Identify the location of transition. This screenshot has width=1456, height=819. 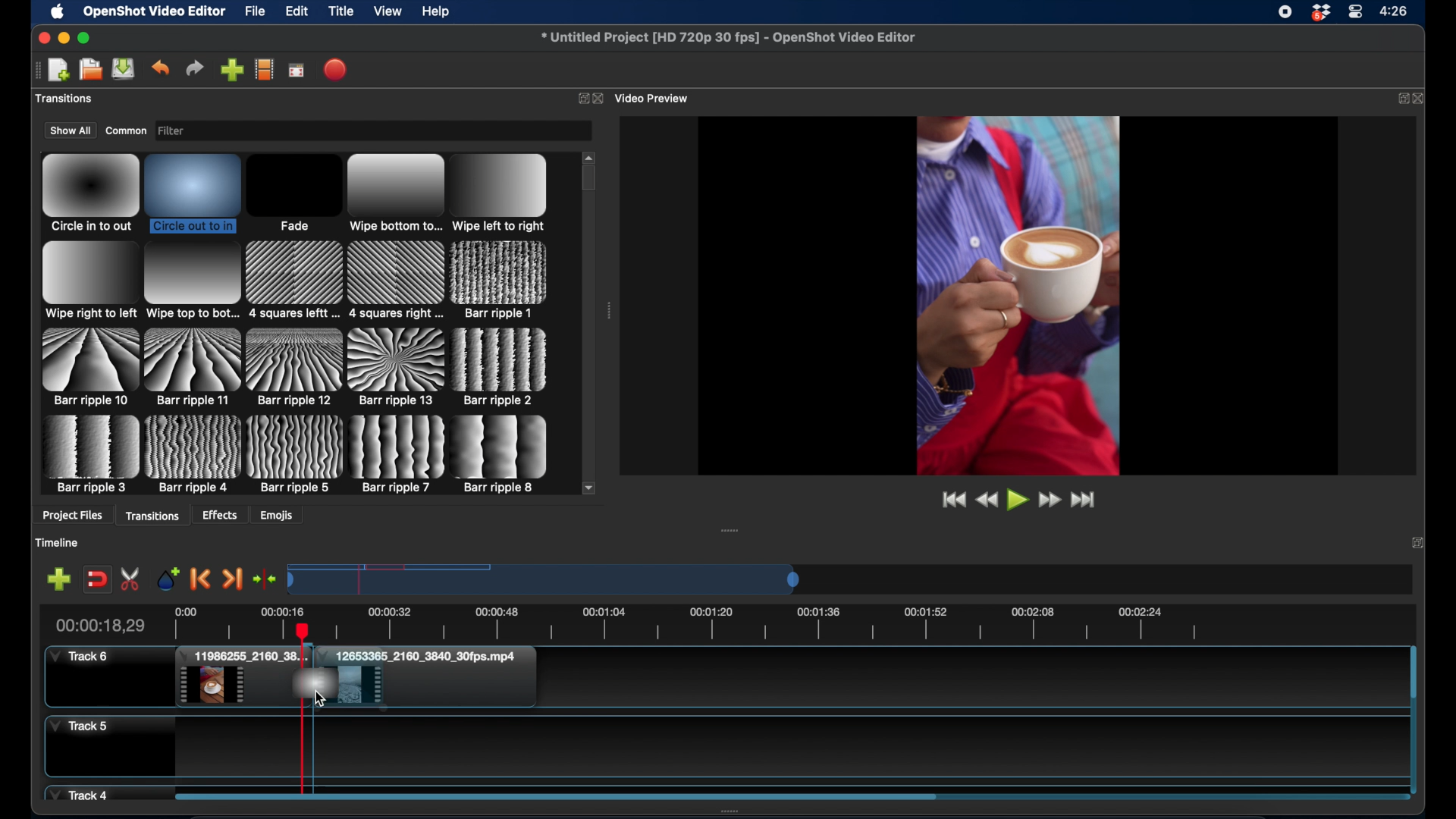
(500, 367).